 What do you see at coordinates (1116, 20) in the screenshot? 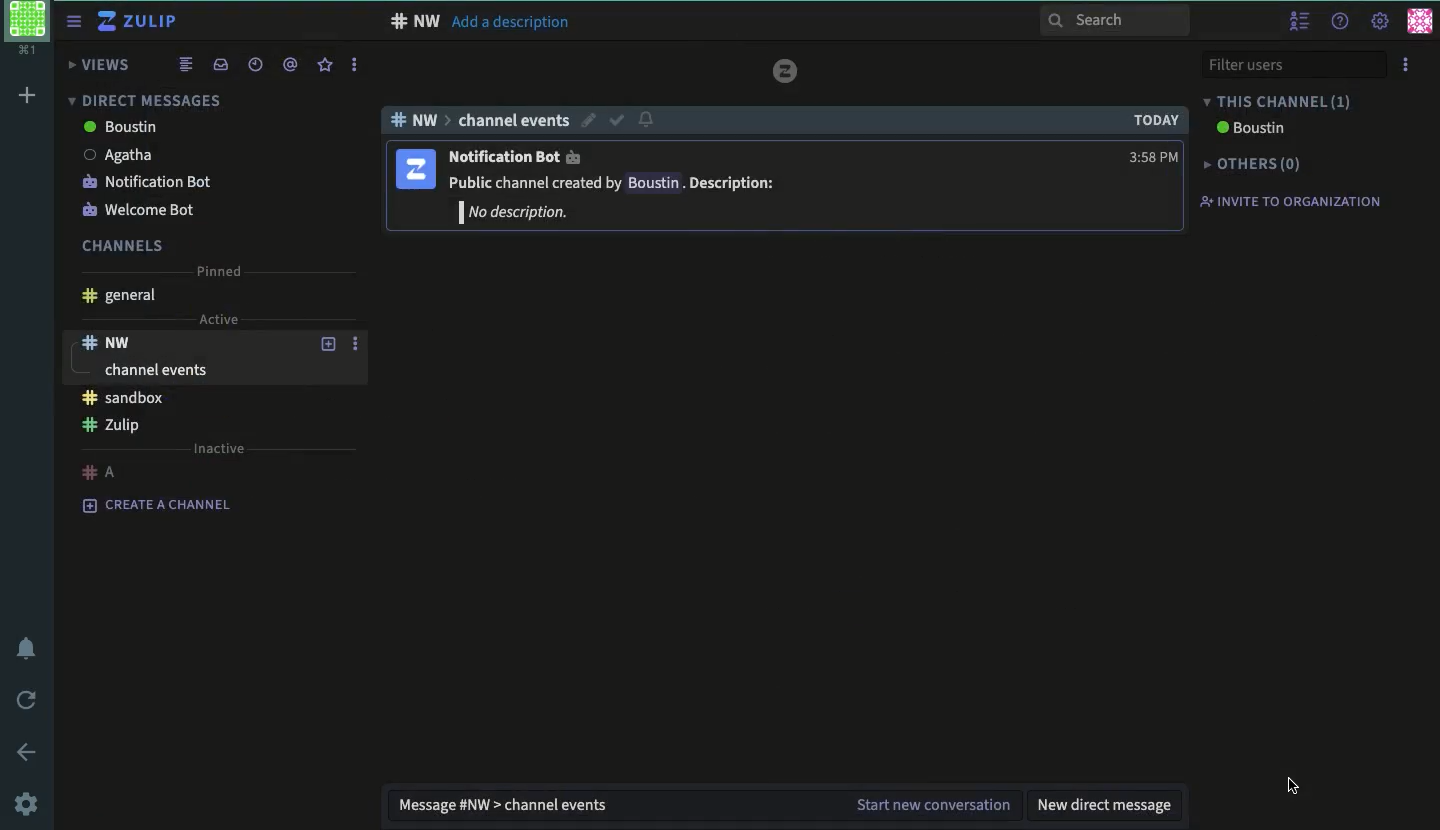
I see `search` at bounding box center [1116, 20].